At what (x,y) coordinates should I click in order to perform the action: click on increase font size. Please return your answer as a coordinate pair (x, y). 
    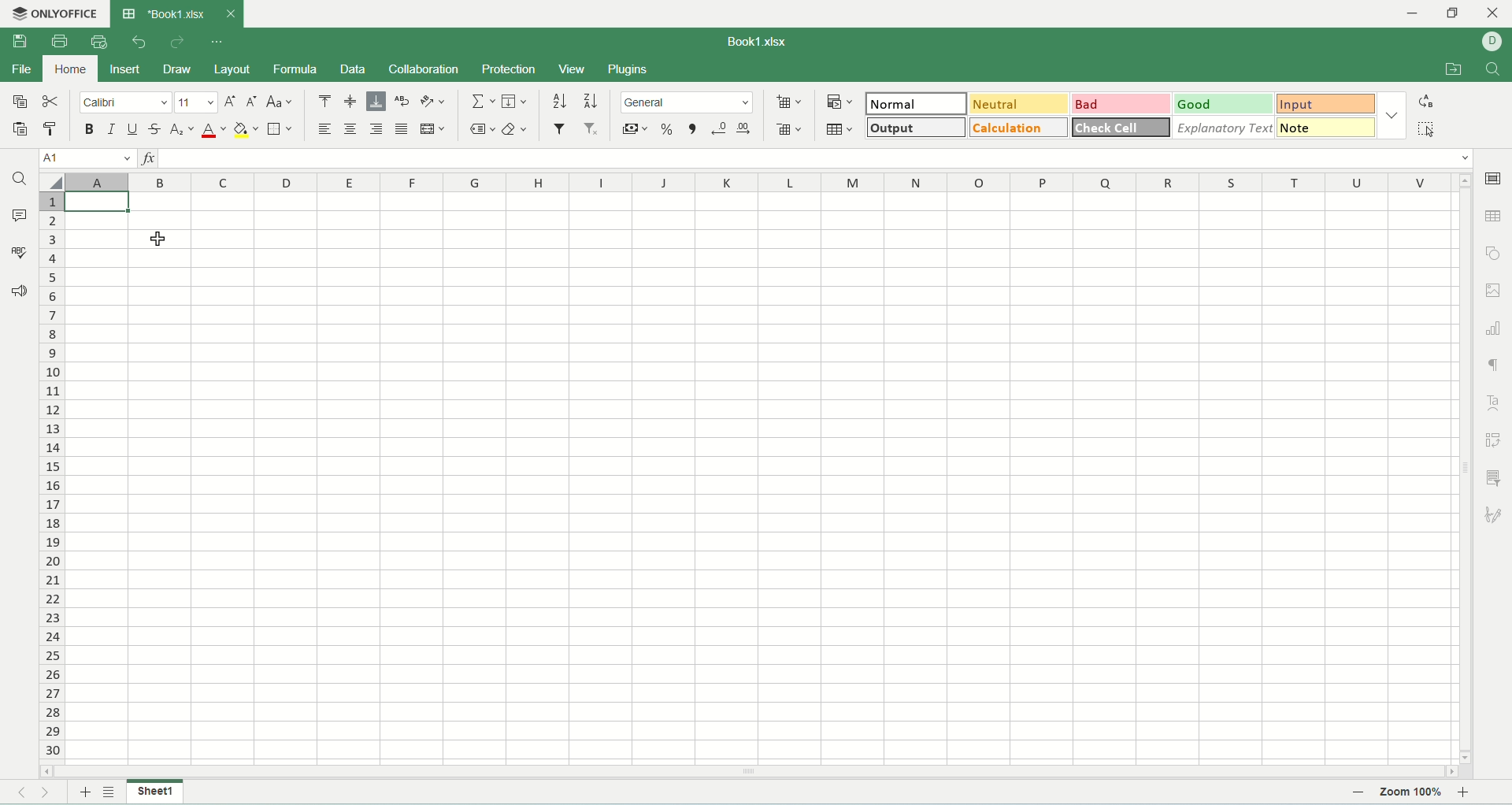
    Looking at the image, I should click on (230, 103).